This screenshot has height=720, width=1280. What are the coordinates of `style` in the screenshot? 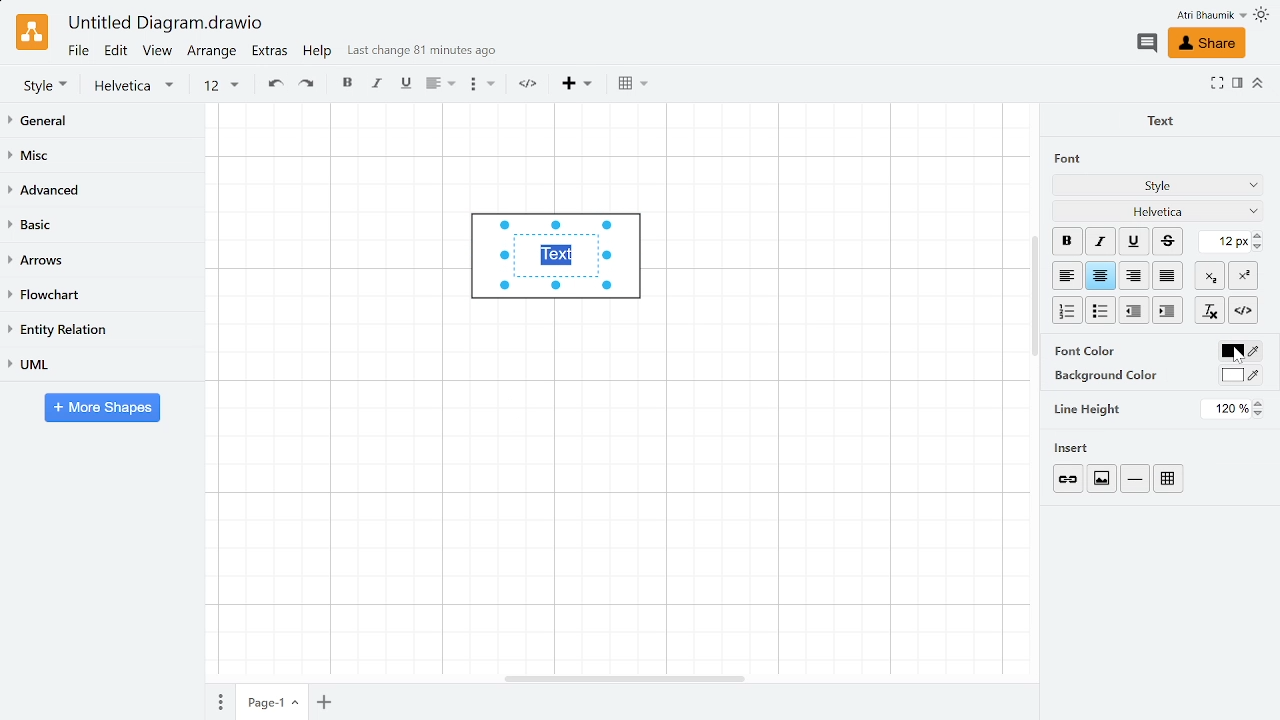 It's located at (45, 85).